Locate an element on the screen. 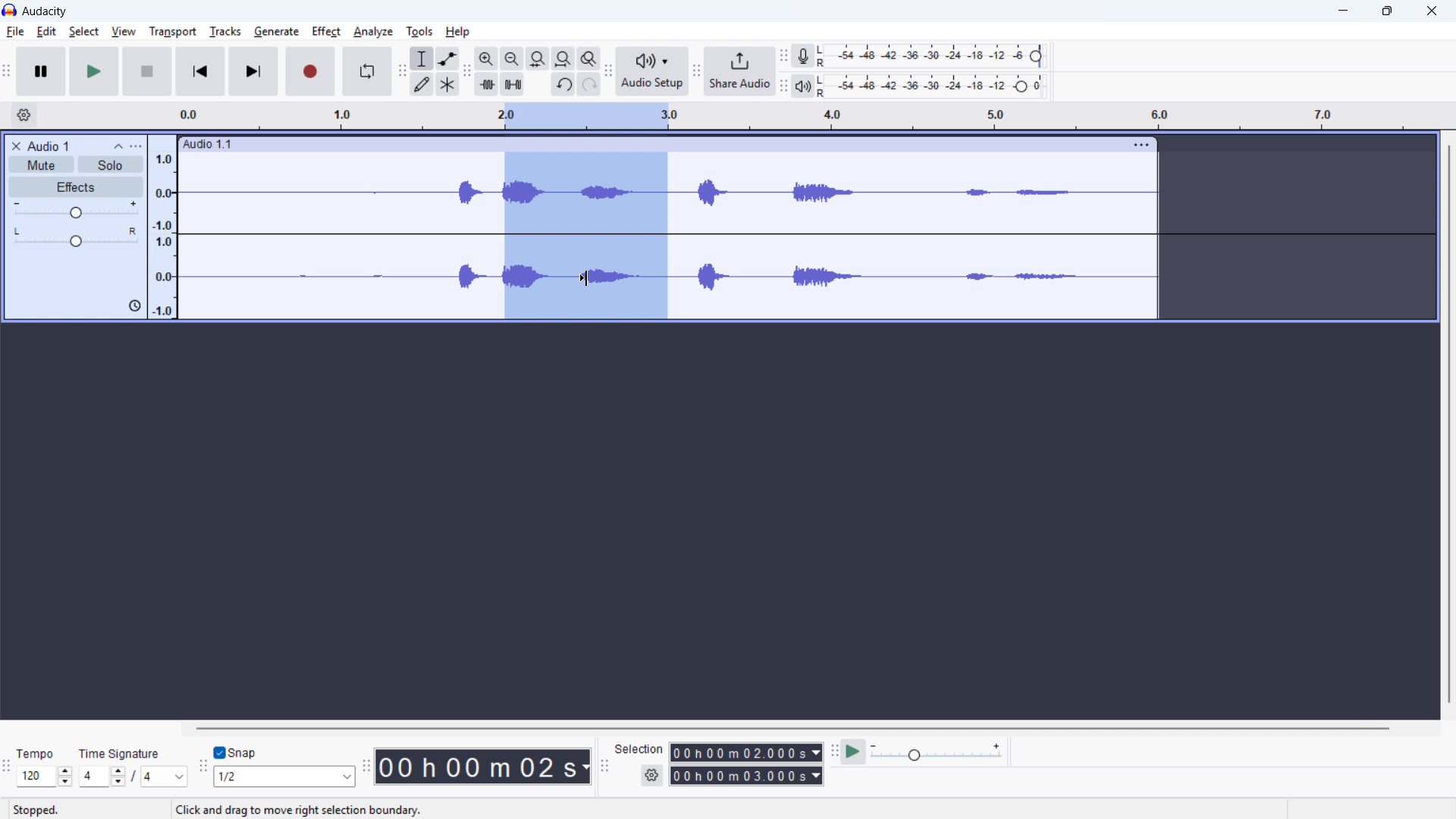  Set time signature is located at coordinates (133, 777).